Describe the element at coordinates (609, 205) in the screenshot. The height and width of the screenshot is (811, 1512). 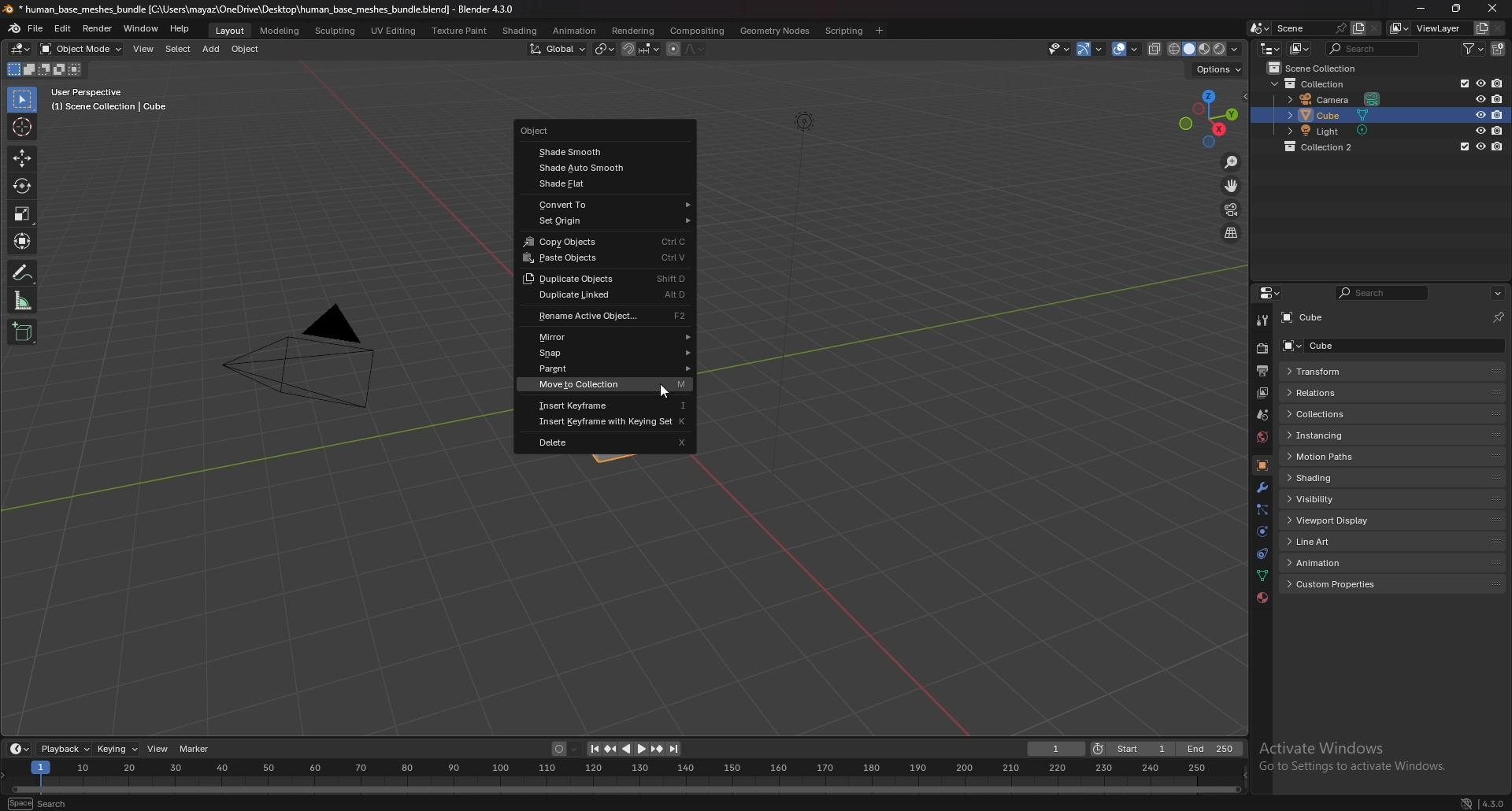
I see `convert to` at that location.